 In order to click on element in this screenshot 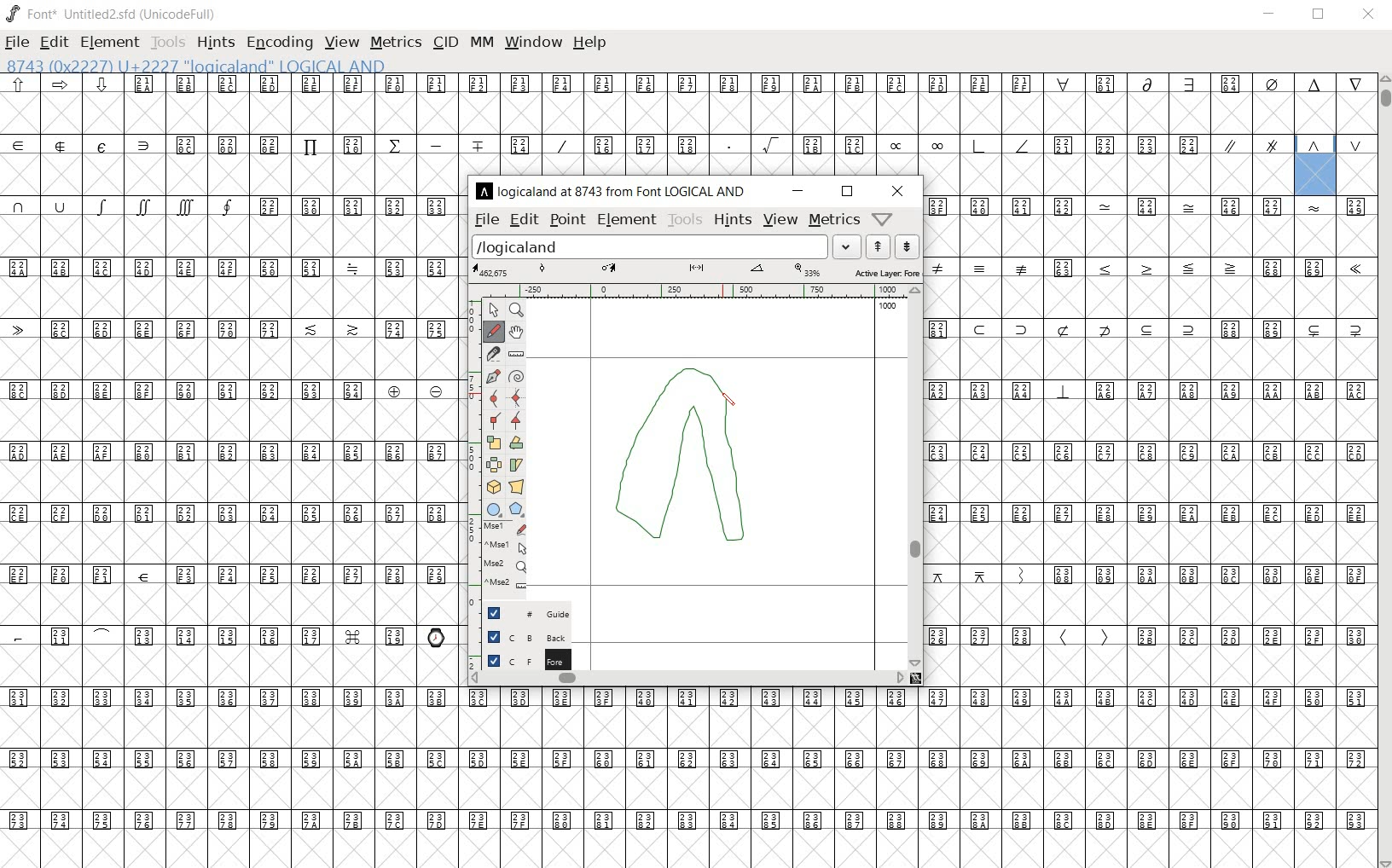, I will do `click(627, 219)`.